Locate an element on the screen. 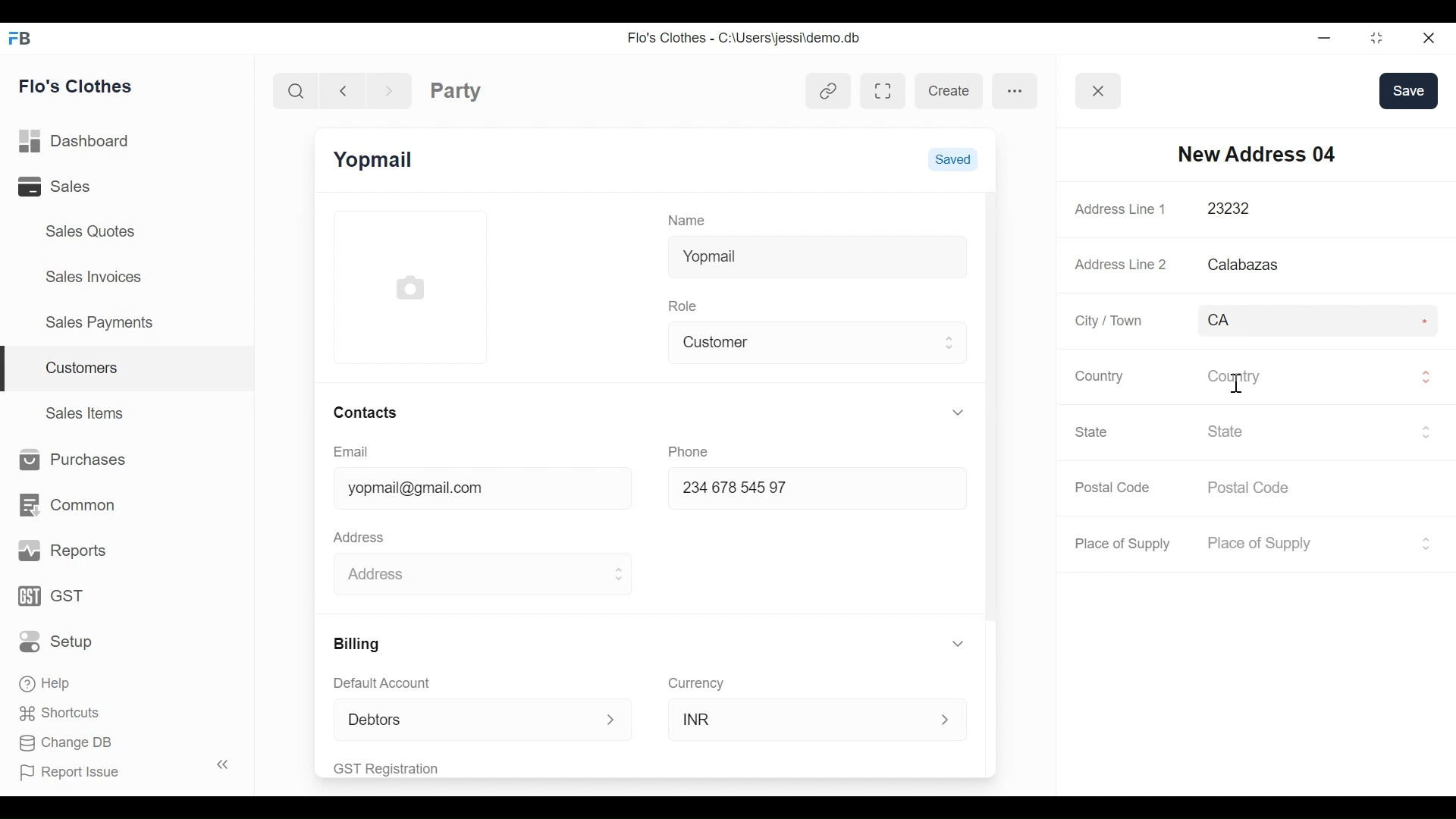  Phone is located at coordinates (693, 450).